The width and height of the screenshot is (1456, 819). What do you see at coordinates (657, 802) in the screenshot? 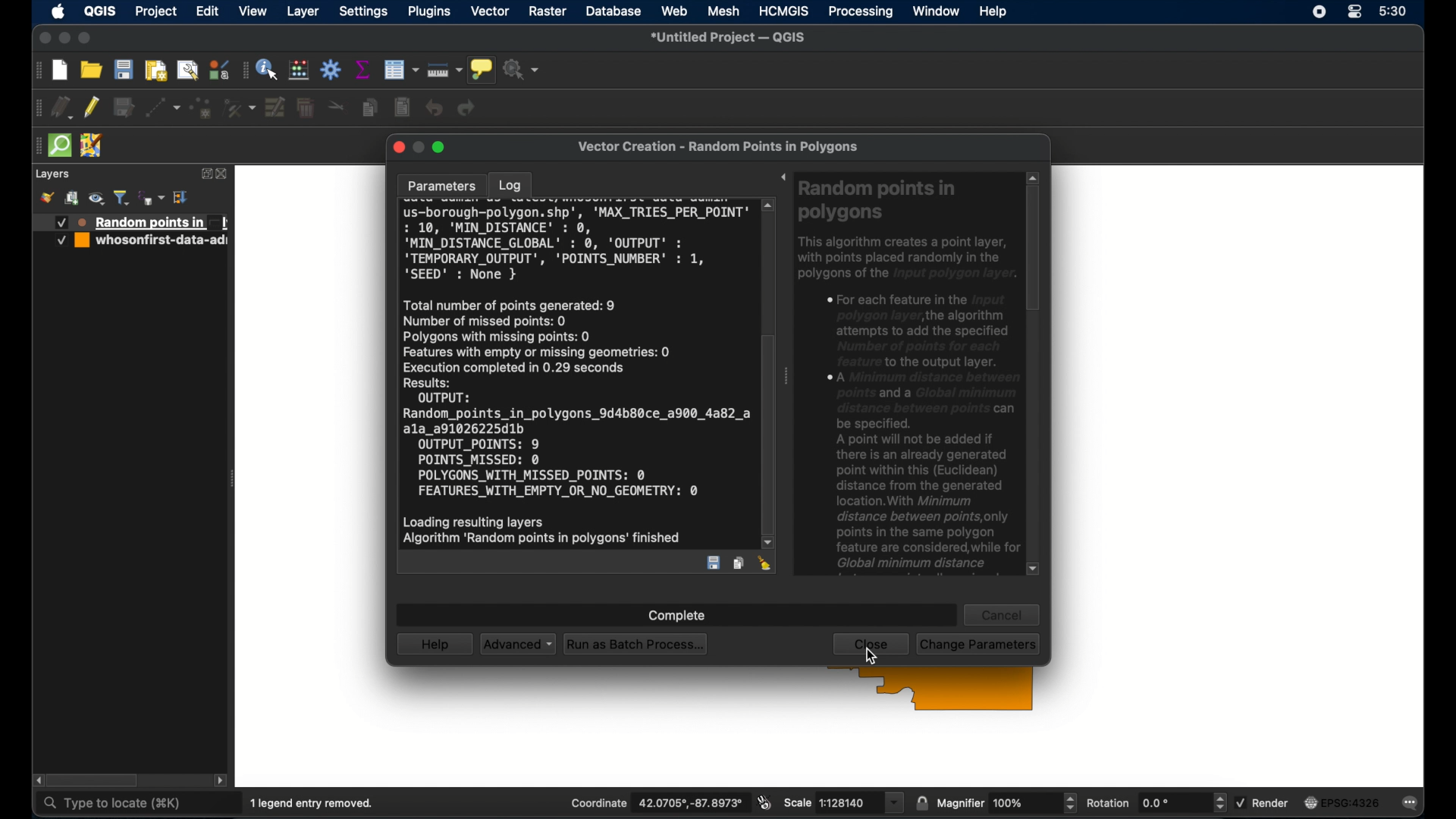
I see `coordinate` at bounding box center [657, 802].